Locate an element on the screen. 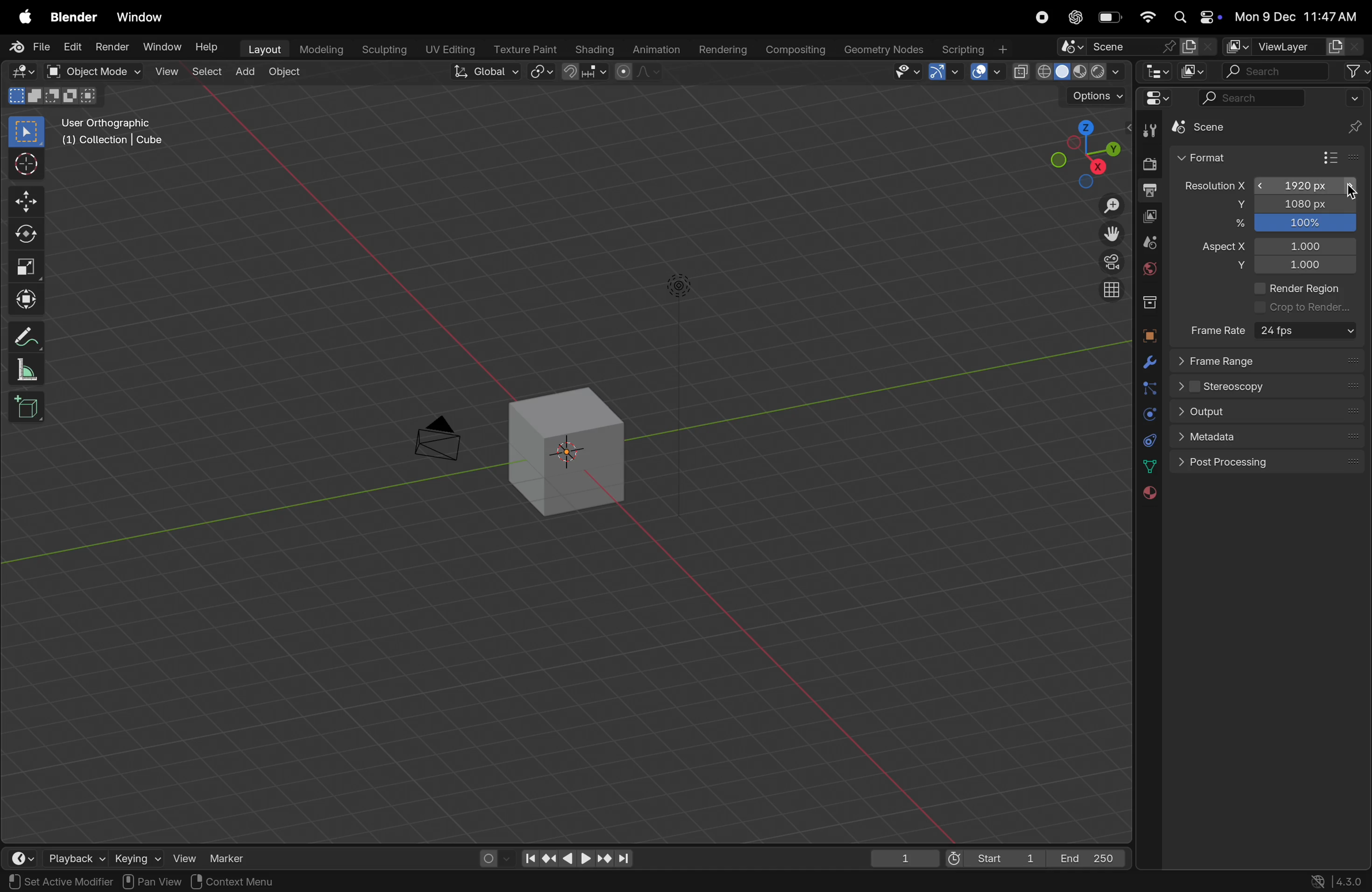 Image resolution: width=1372 pixels, height=892 pixels. output is located at coordinates (1150, 192).